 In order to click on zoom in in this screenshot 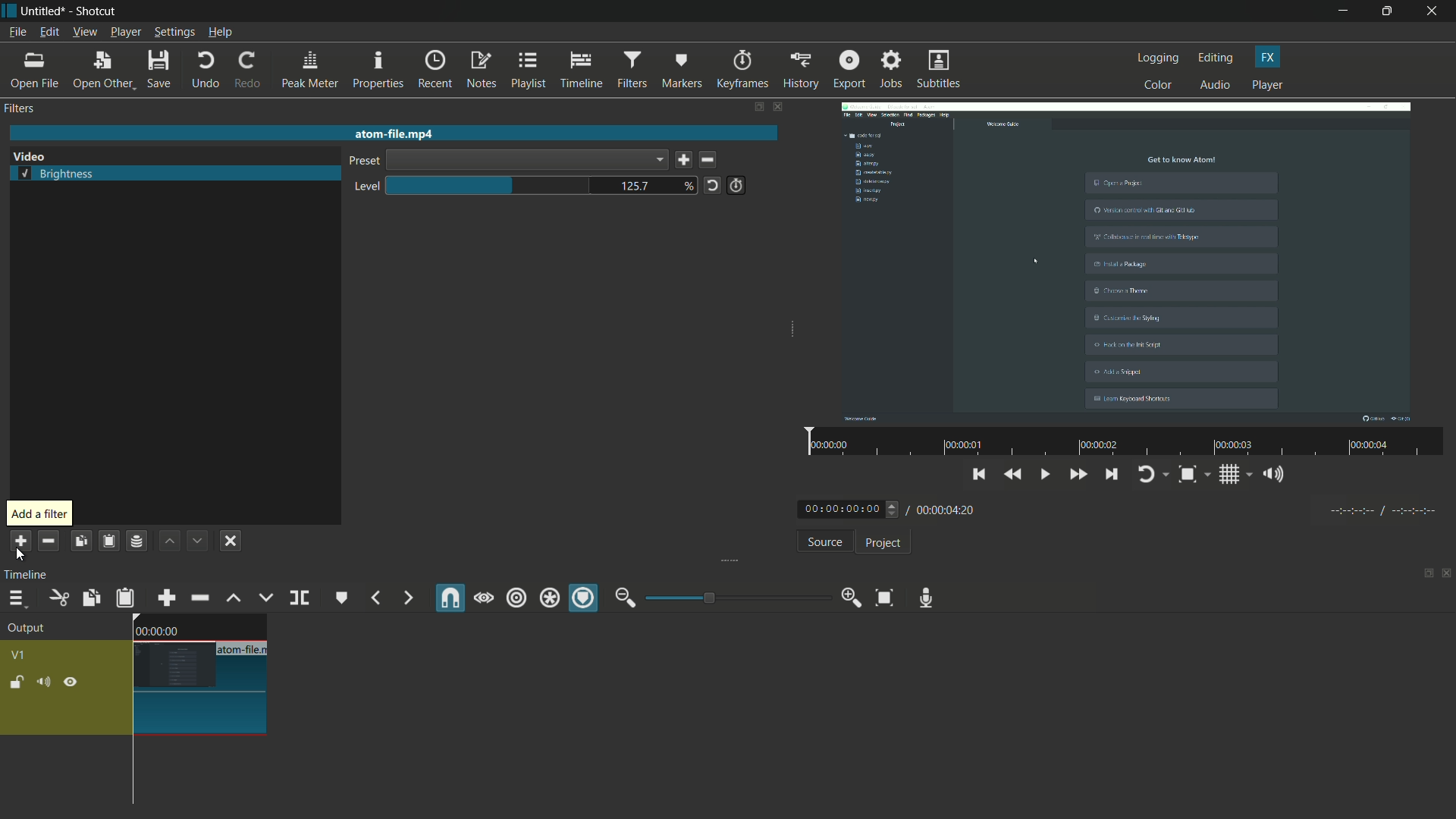, I will do `click(848, 598)`.